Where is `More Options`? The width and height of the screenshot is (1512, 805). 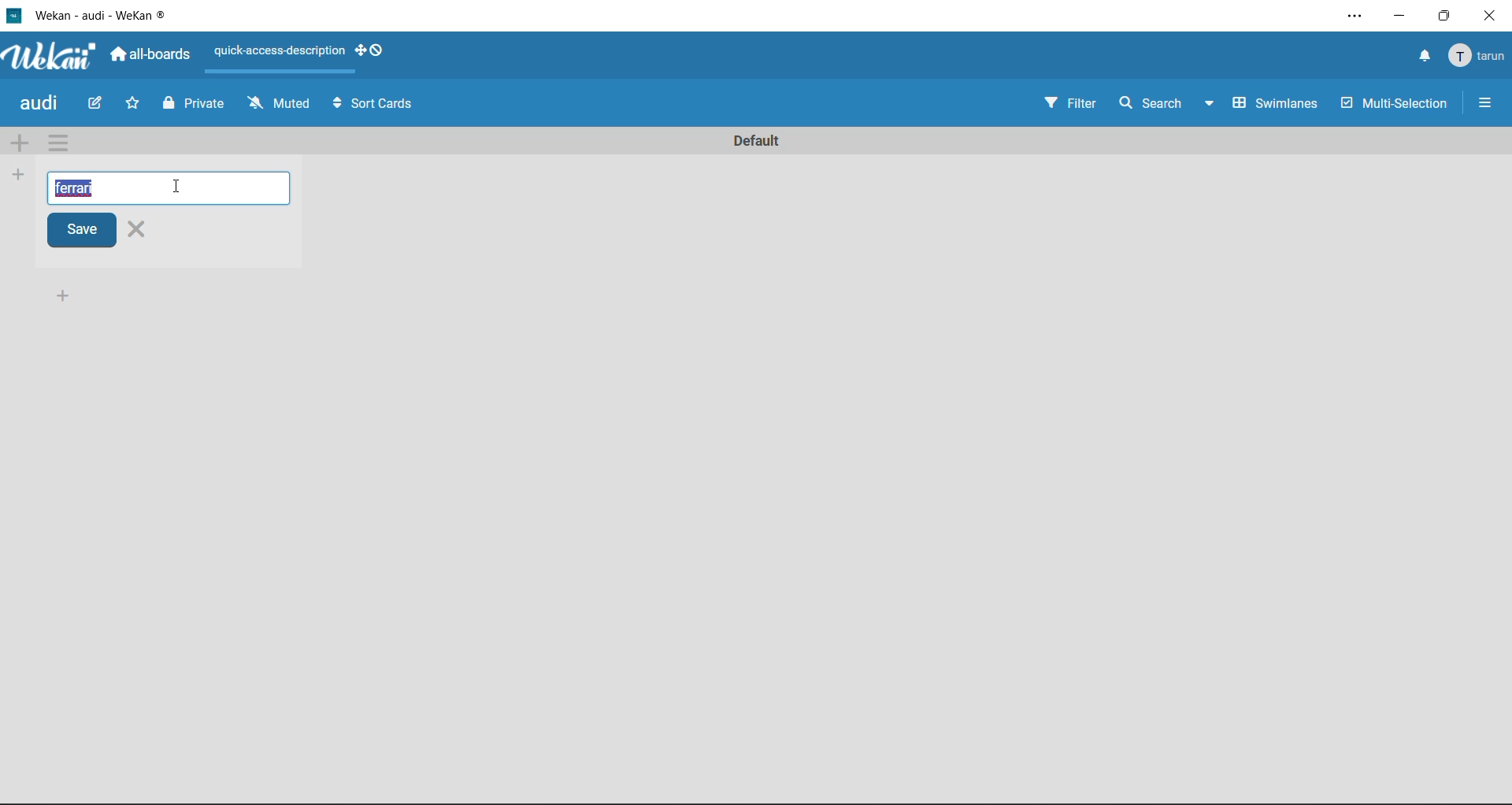 More Options is located at coordinates (1482, 101).